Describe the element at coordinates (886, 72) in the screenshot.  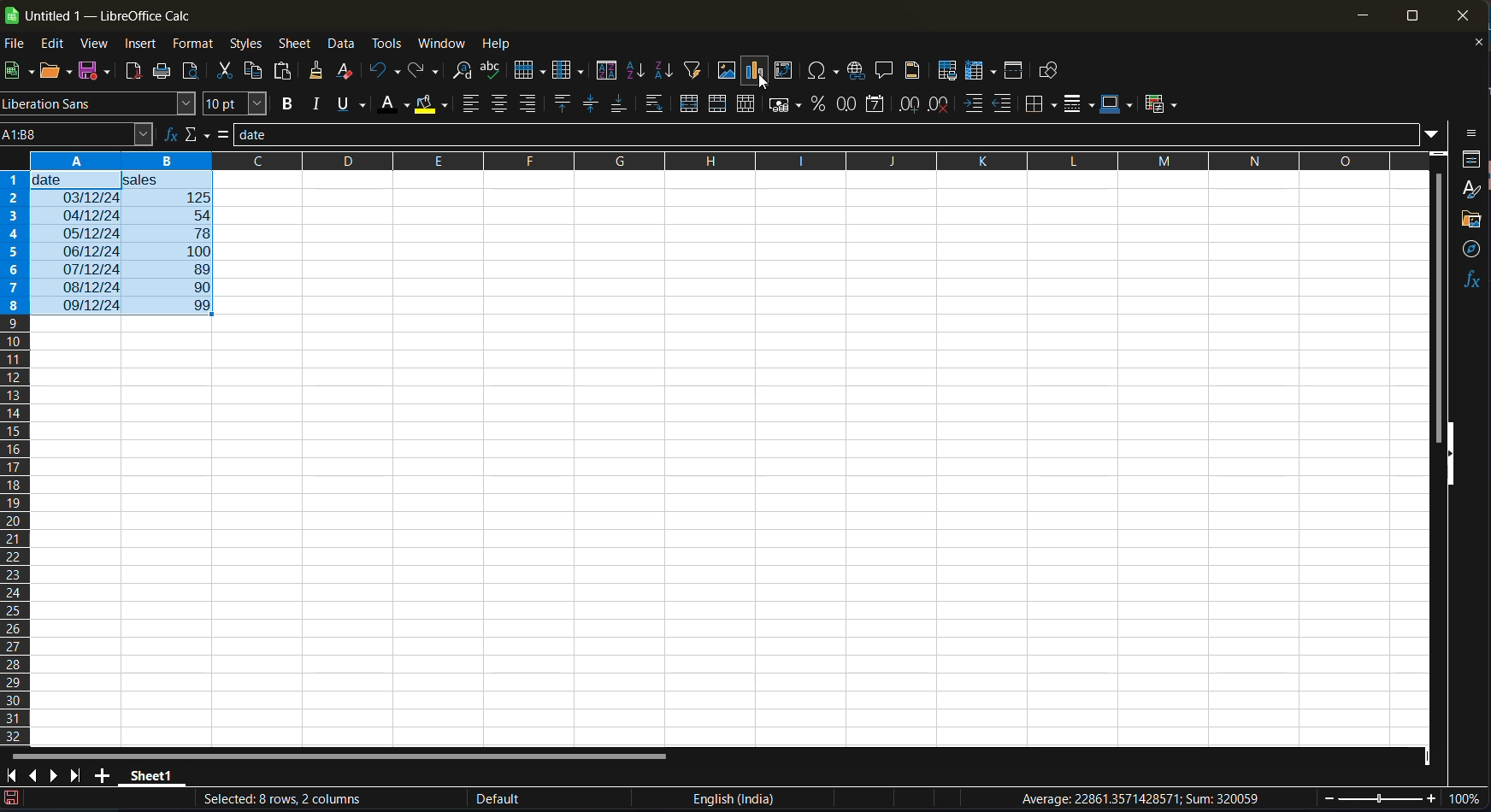
I see `insert comment` at that location.